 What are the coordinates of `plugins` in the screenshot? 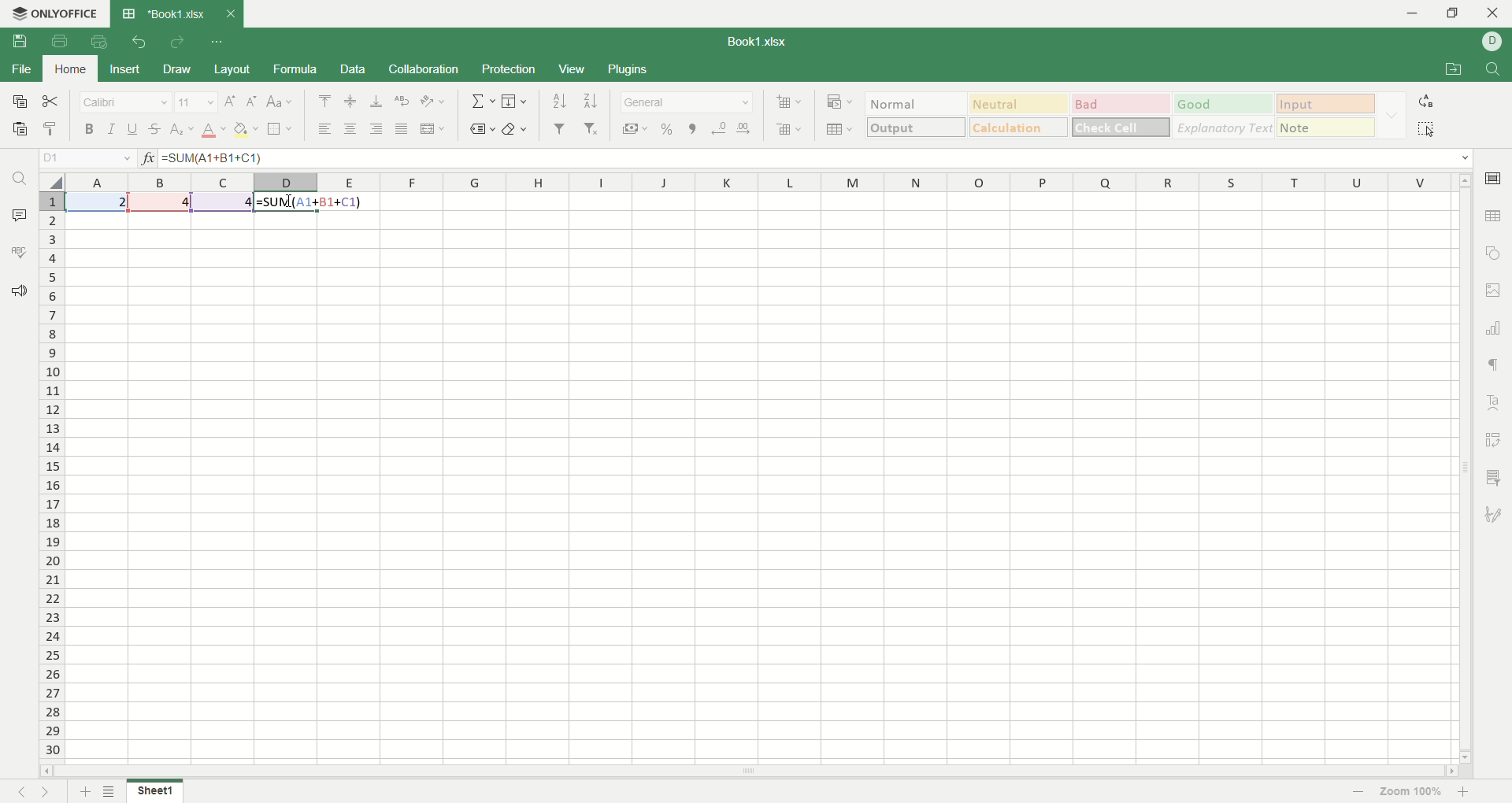 It's located at (627, 69).